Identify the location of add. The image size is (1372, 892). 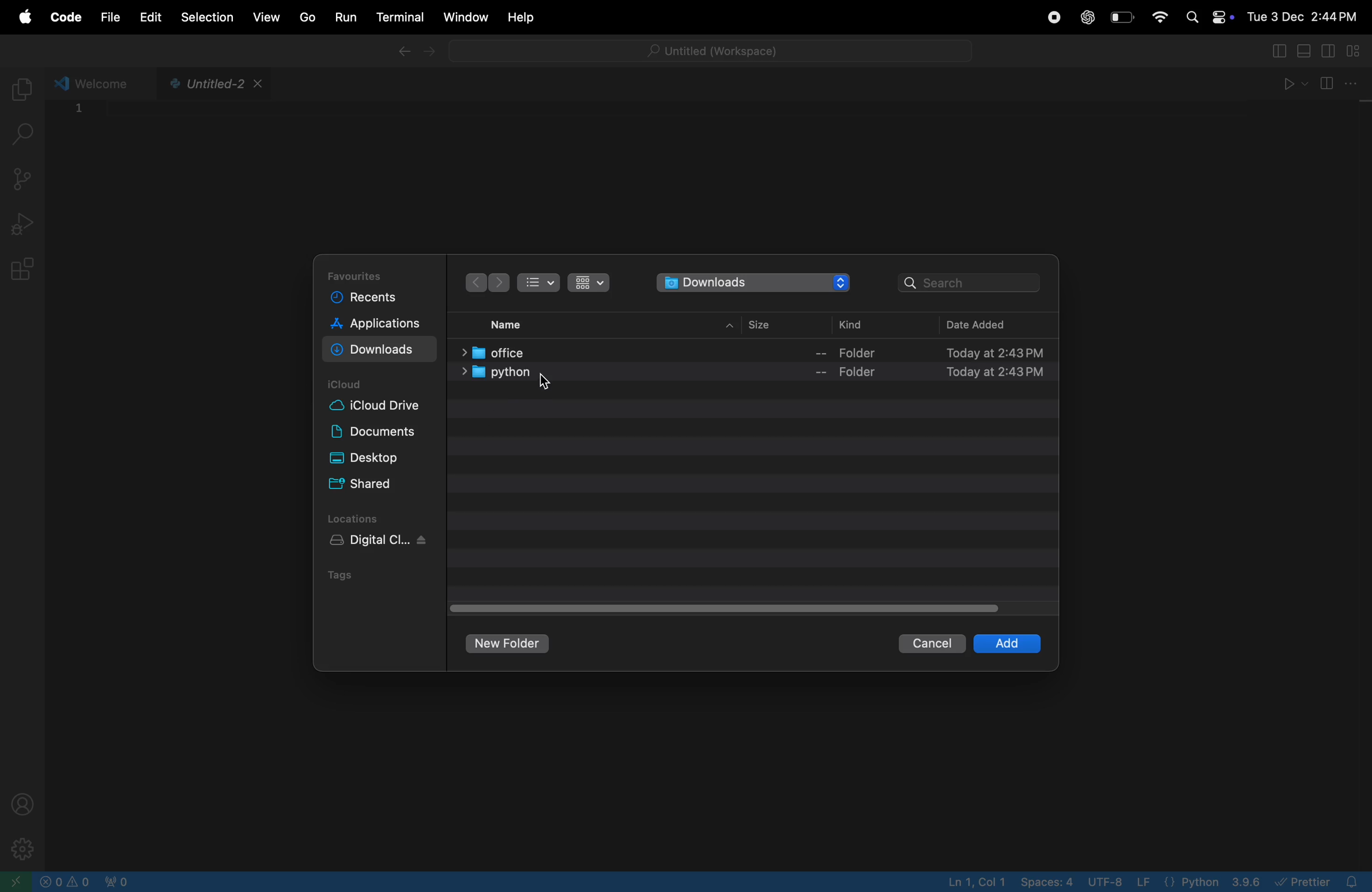
(1007, 644).